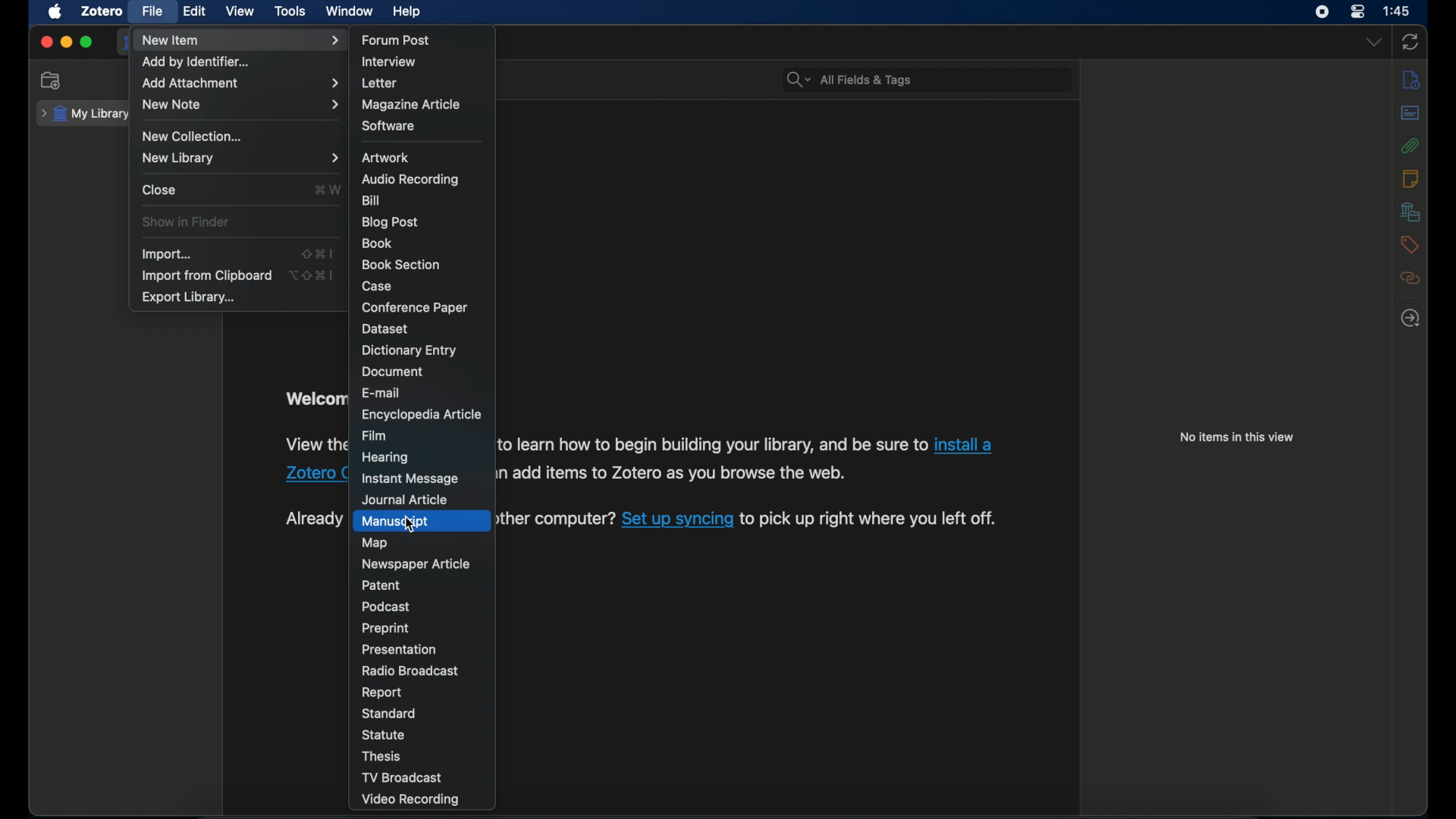 The height and width of the screenshot is (819, 1456). I want to click on minimize, so click(65, 43).